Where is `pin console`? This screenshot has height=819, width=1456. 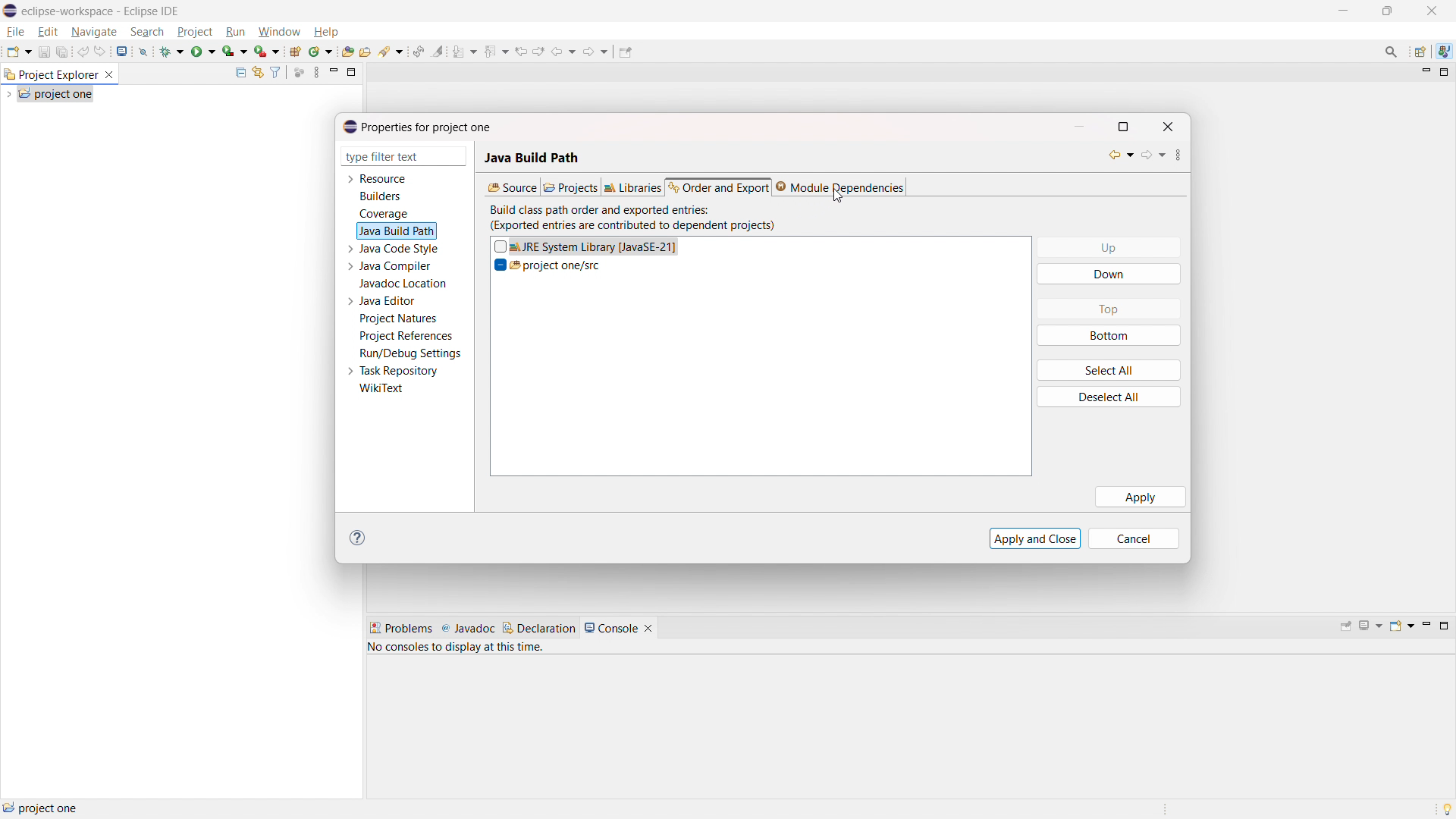
pin console is located at coordinates (1346, 627).